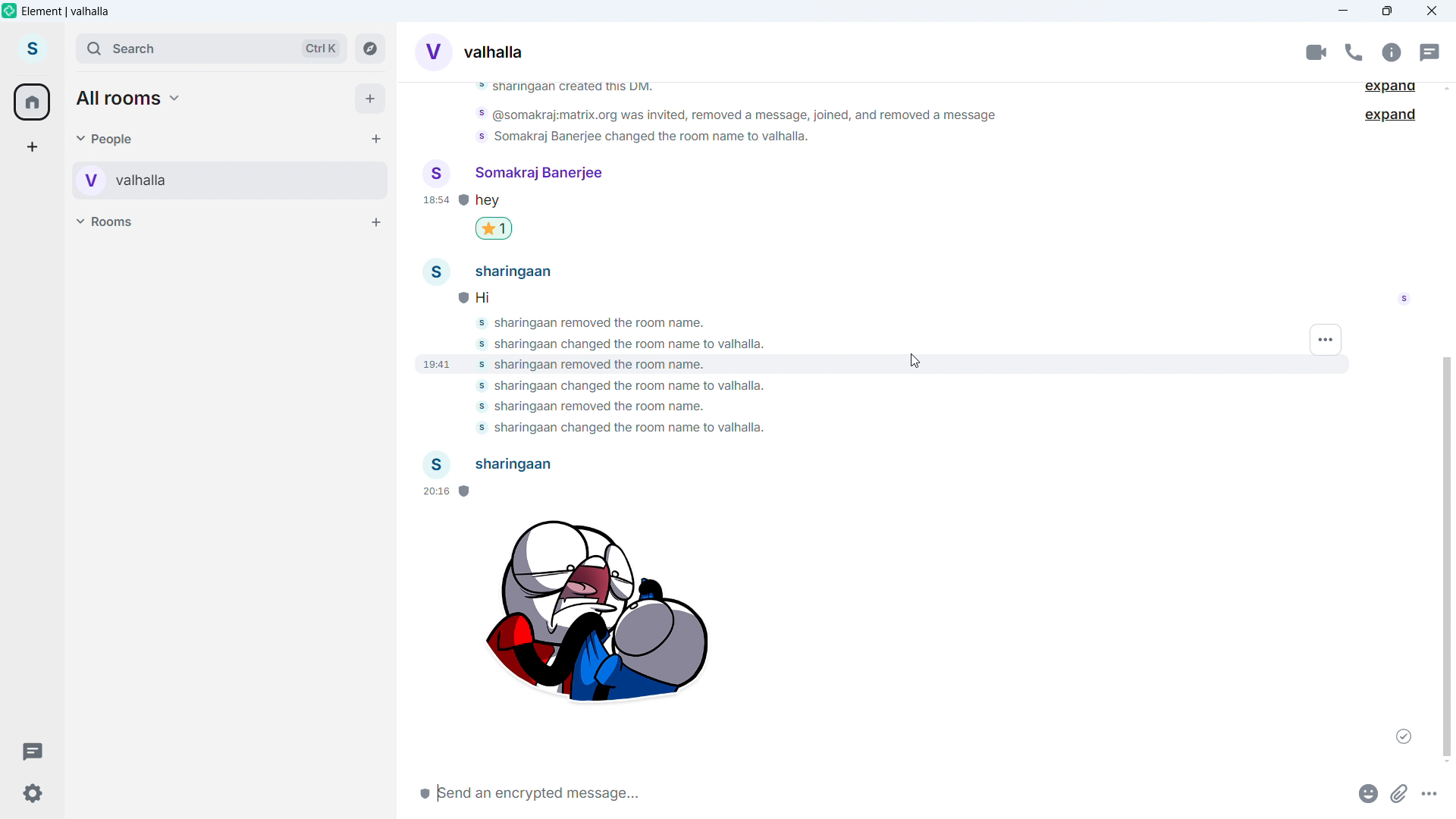  Describe the element at coordinates (375, 221) in the screenshot. I see `Add room ` at that location.